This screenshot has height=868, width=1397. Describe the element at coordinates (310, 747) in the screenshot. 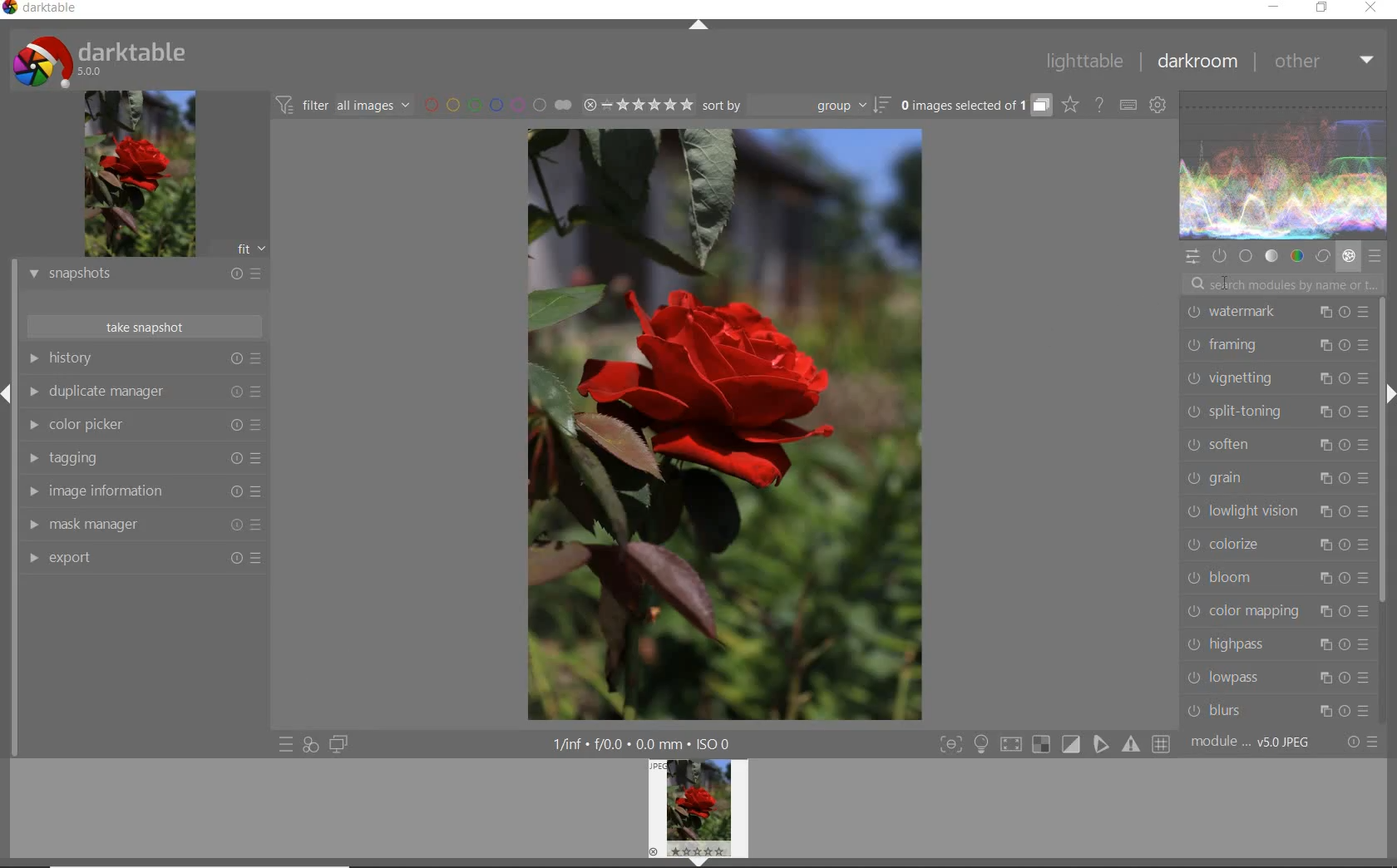

I see `quick access for applying any of your styles` at that location.